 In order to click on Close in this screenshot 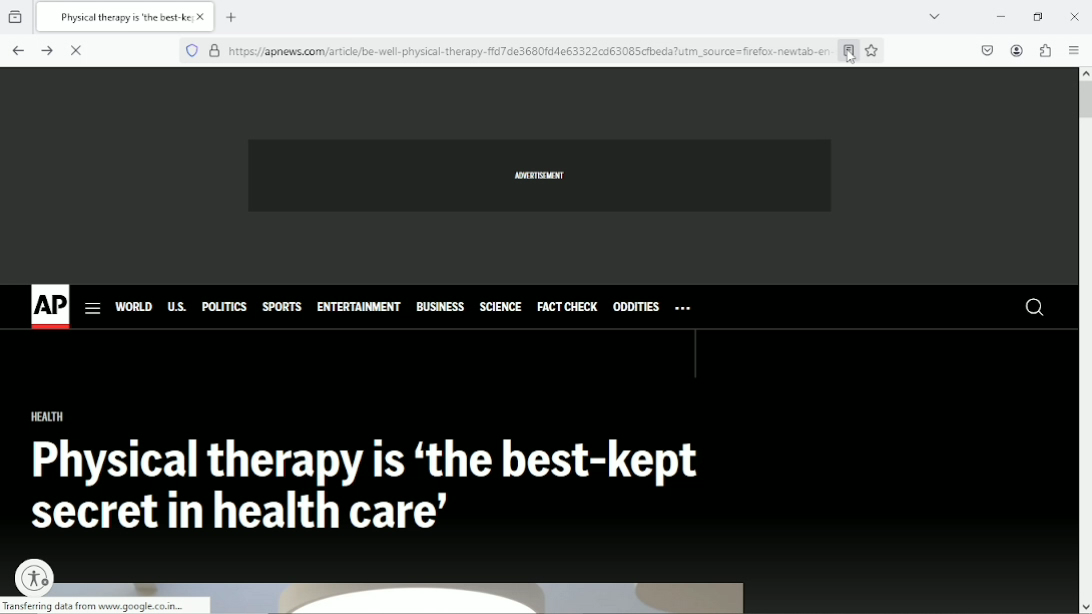, I will do `click(1076, 16)`.